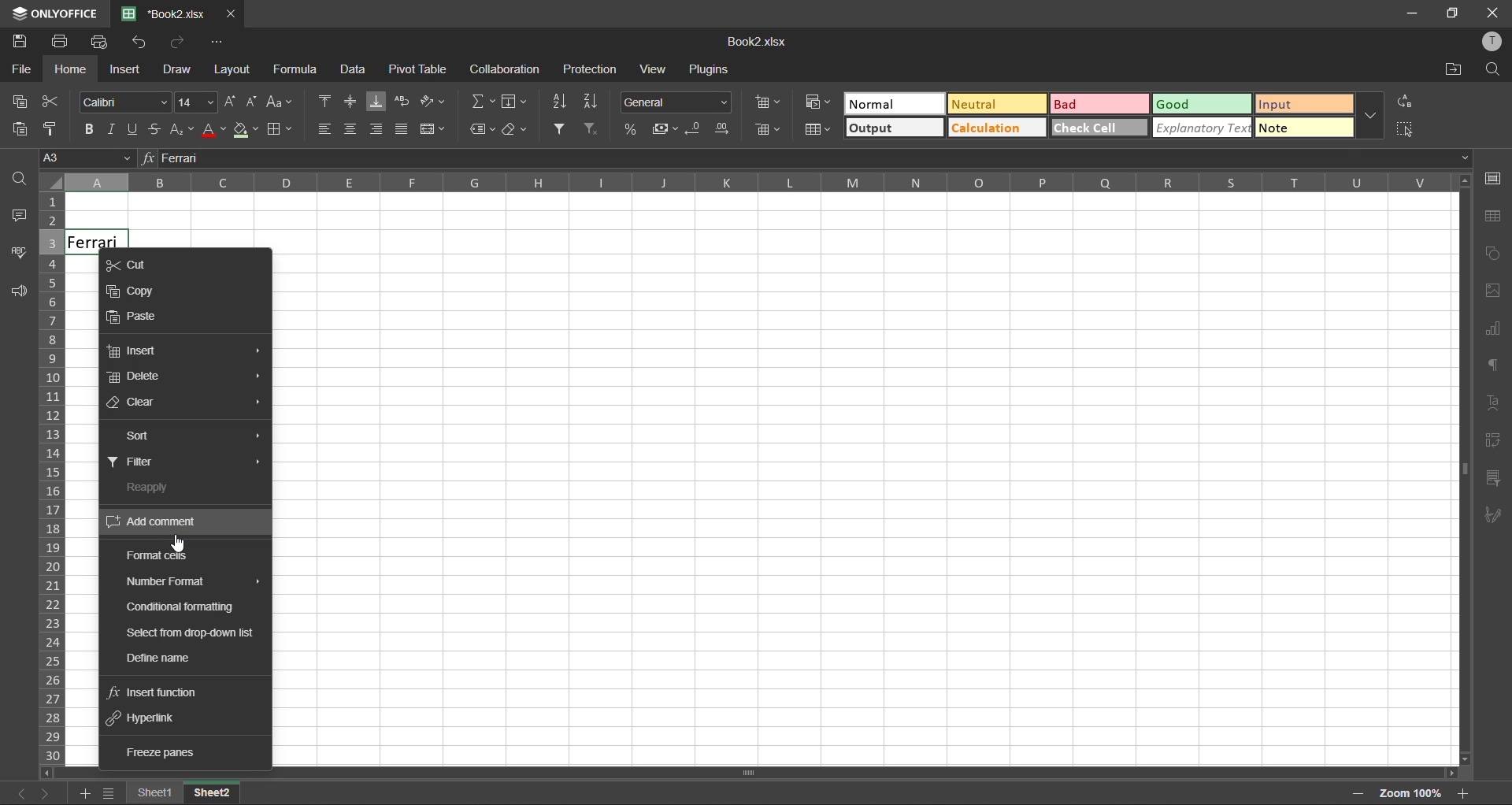  I want to click on next, so click(50, 792).